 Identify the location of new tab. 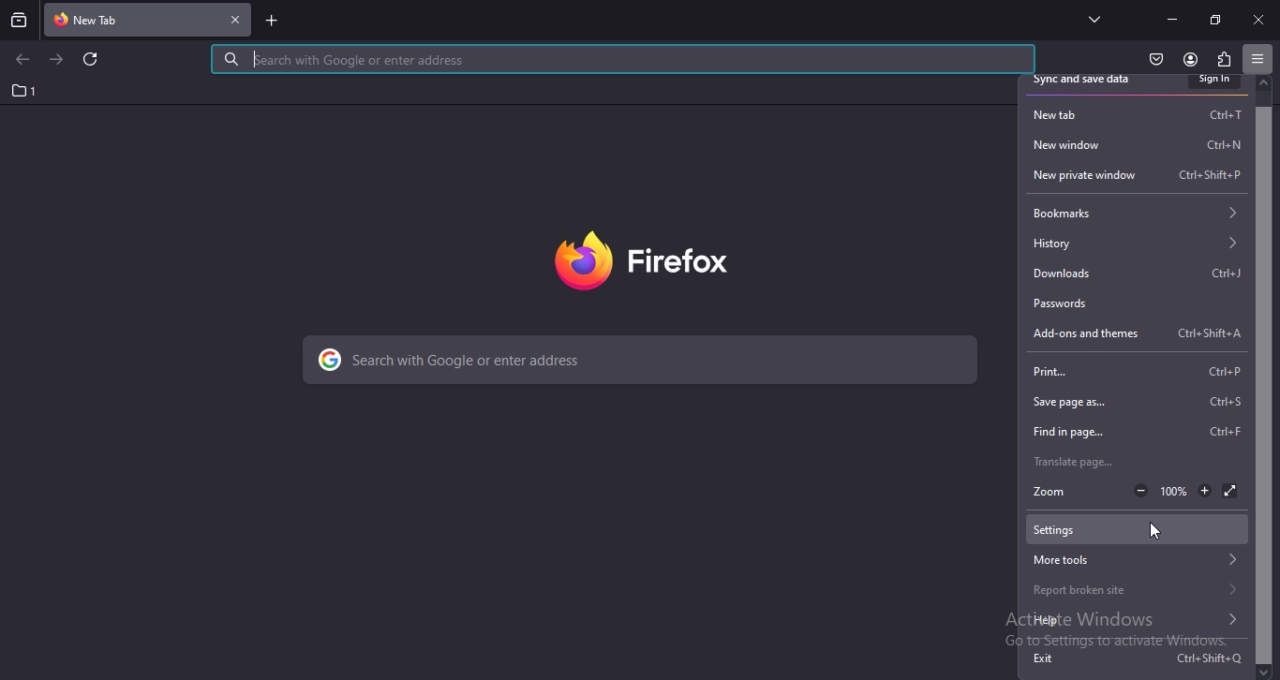
(1142, 112).